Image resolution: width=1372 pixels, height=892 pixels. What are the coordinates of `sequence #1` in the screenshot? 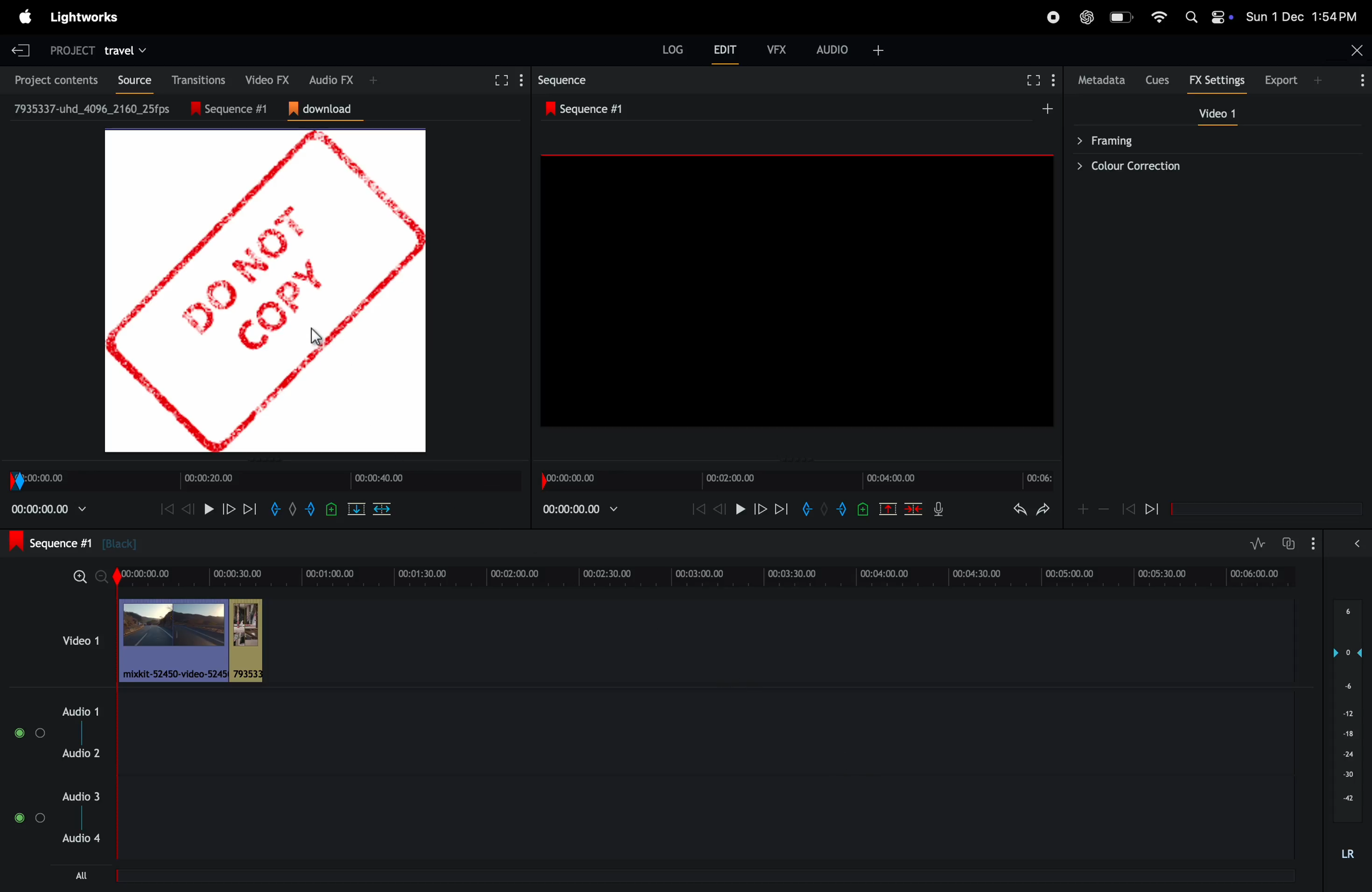 It's located at (589, 109).